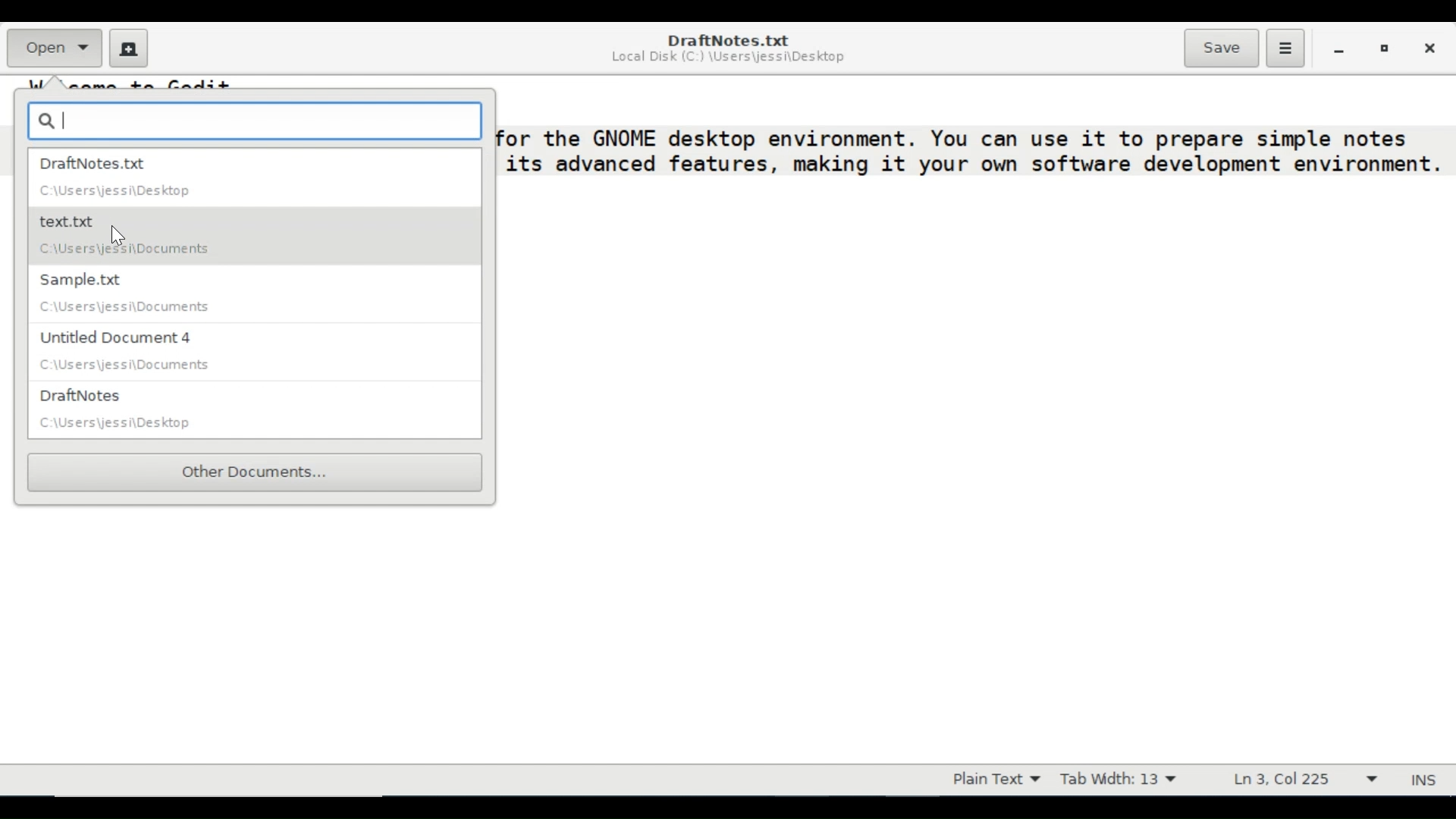  What do you see at coordinates (1118, 780) in the screenshot?
I see `Tab Width` at bounding box center [1118, 780].